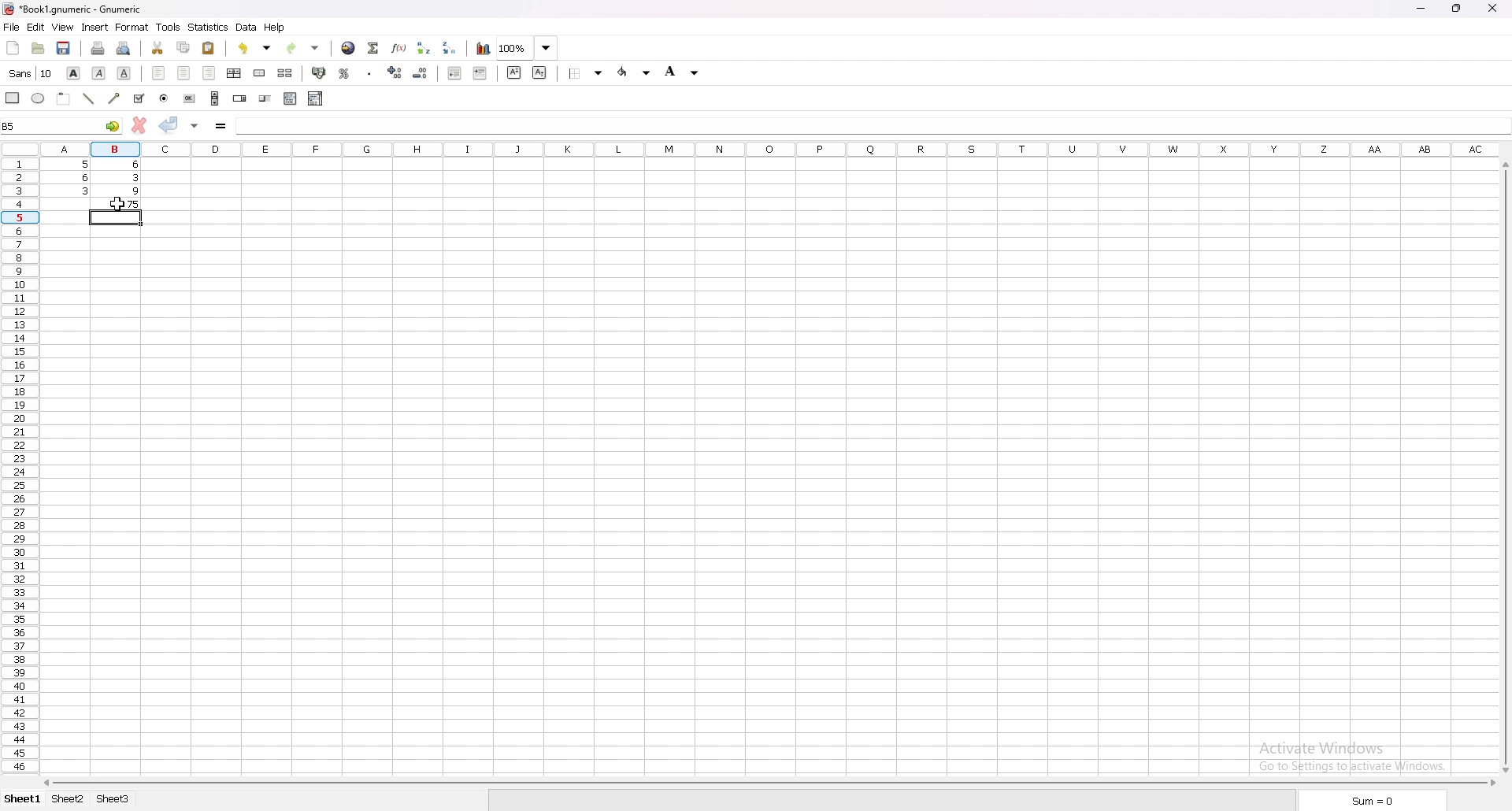 This screenshot has height=811, width=1512. I want to click on open, so click(38, 49).